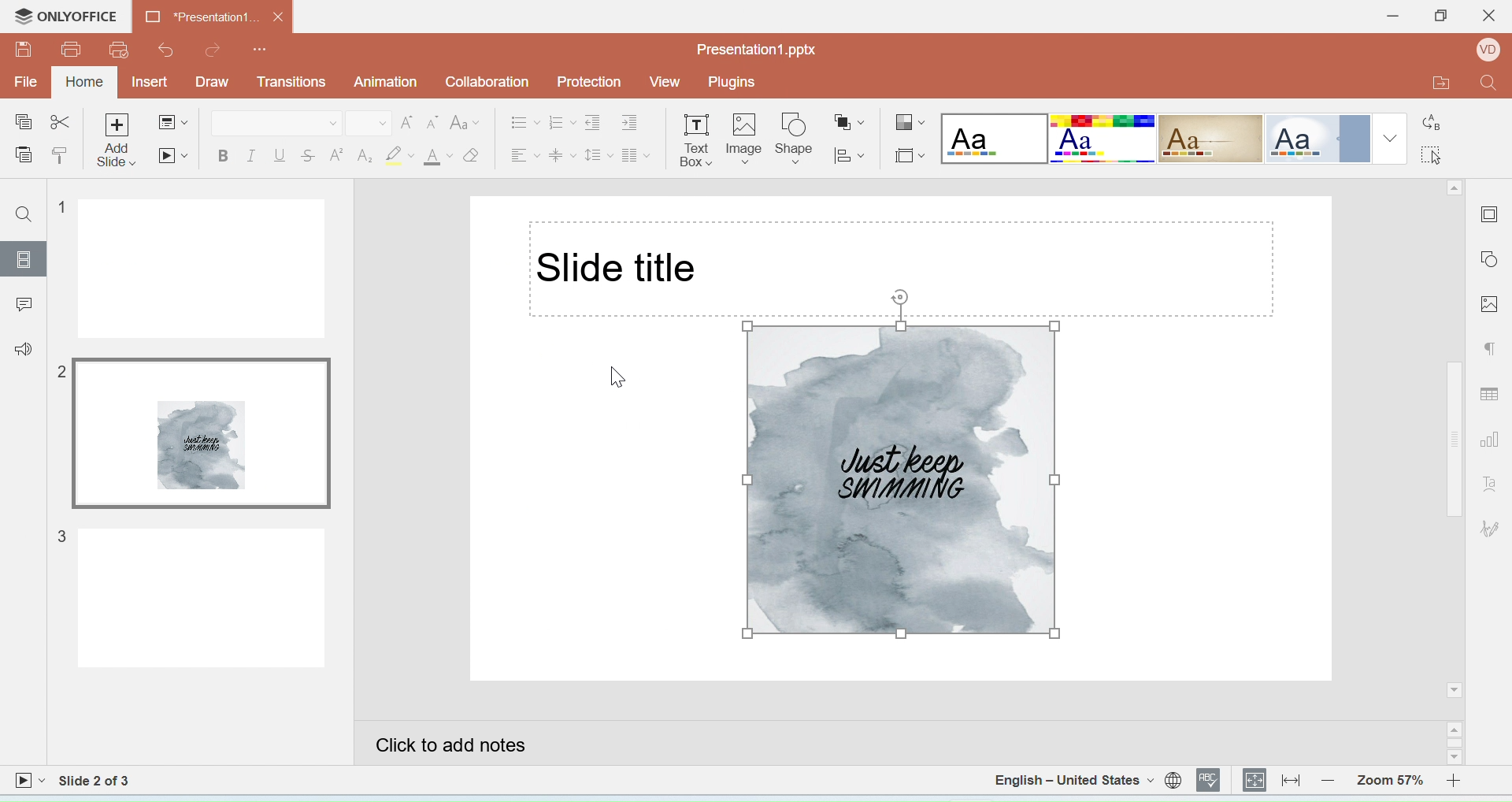 This screenshot has height=802, width=1512. Describe the element at coordinates (994, 139) in the screenshot. I see `Blank` at that location.